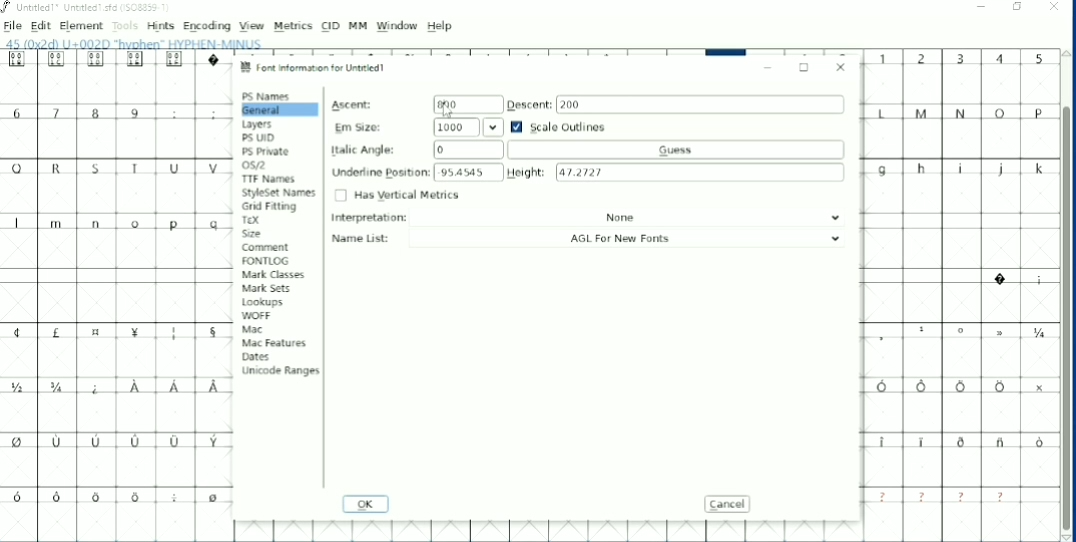 Image resolution: width=1076 pixels, height=542 pixels. What do you see at coordinates (267, 151) in the screenshot?
I see `PS Private` at bounding box center [267, 151].